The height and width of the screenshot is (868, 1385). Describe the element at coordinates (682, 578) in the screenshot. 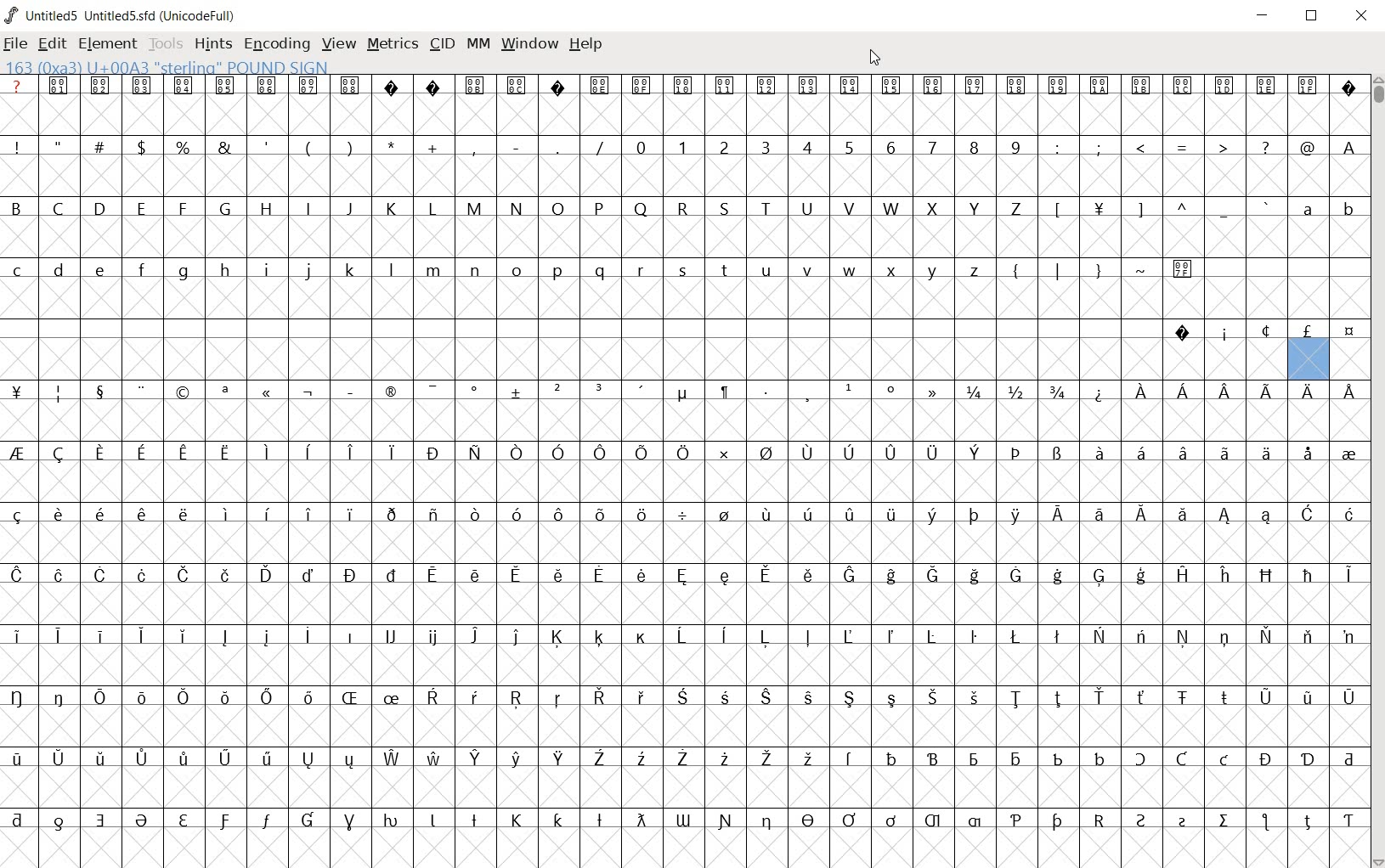

I see `Symbol` at that location.